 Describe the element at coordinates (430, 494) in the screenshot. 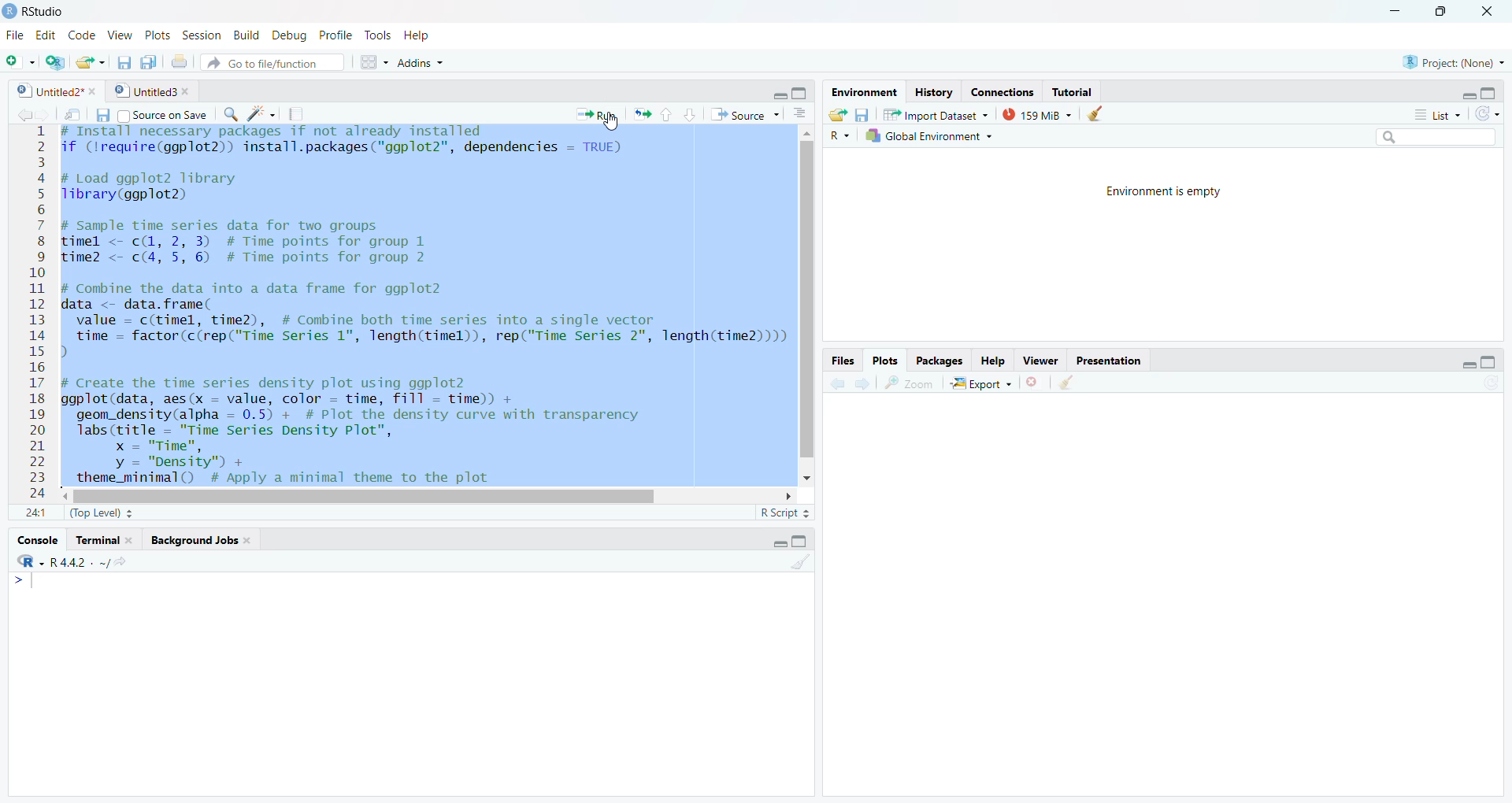

I see `Scroll` at that location.